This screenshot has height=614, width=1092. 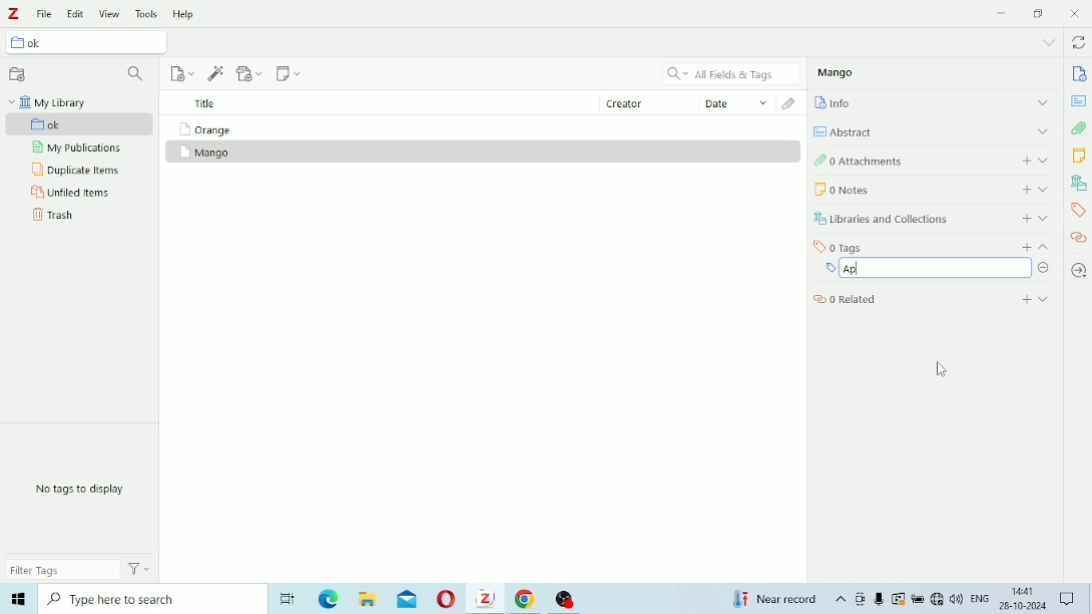 What do you see at coordinates (1039, 15) in the screenshot?
I see `Restore down` at bounding box center [1039, 15].